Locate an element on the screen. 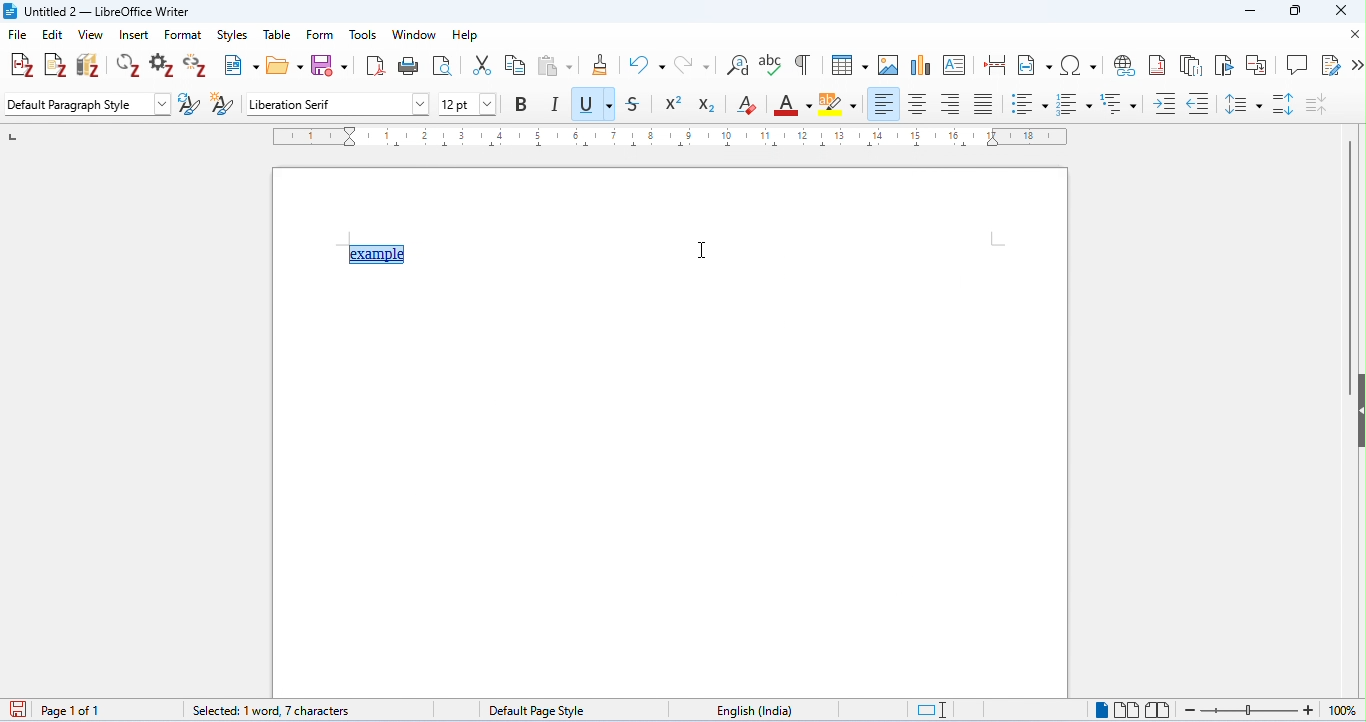  toggle formatting marks is located at coordinates (803, 64).